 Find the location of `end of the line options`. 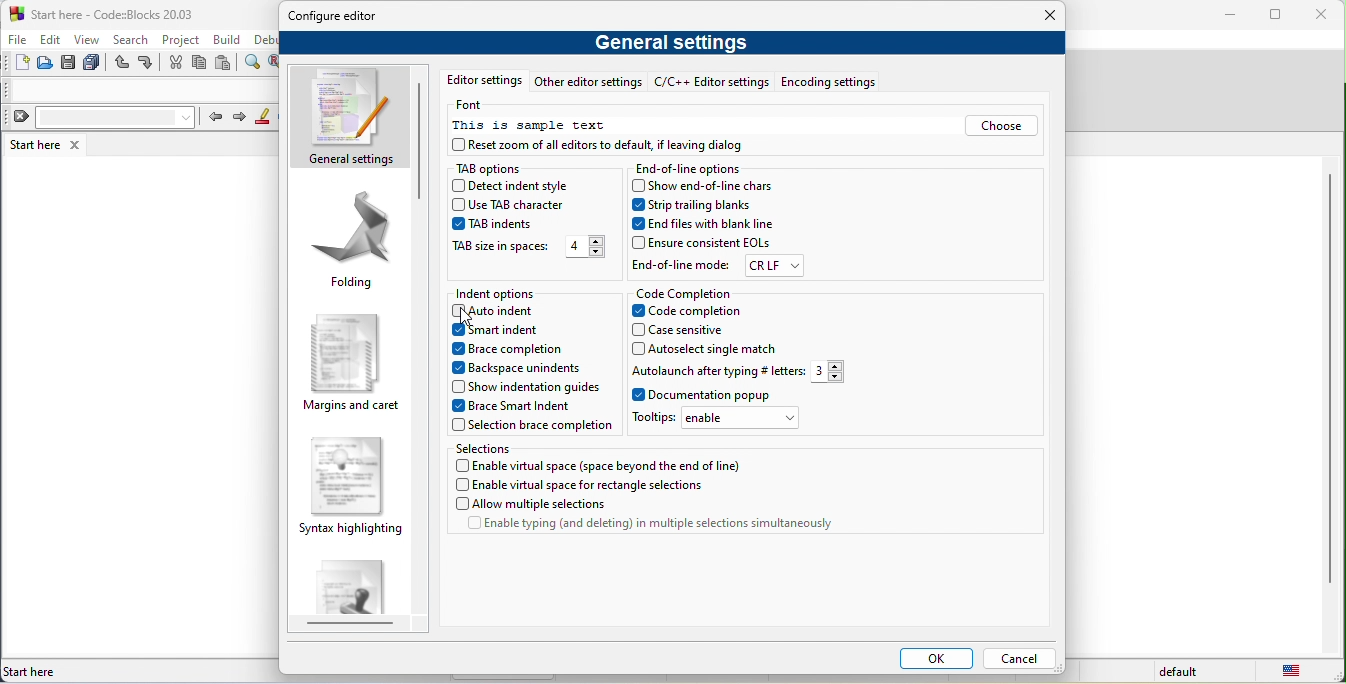

end of the line options is located at coordinates (693, 169).